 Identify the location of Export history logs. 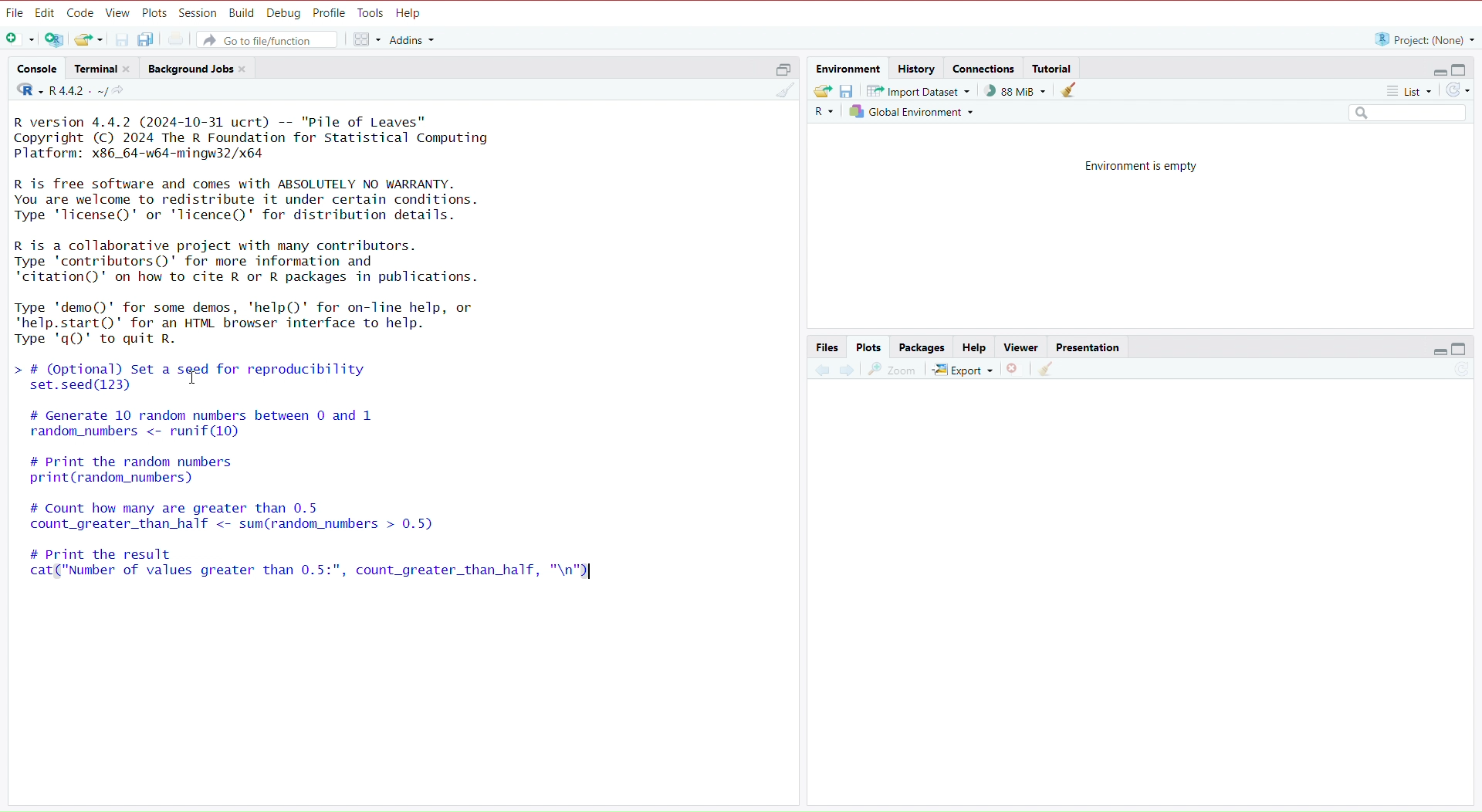
(822, 91).